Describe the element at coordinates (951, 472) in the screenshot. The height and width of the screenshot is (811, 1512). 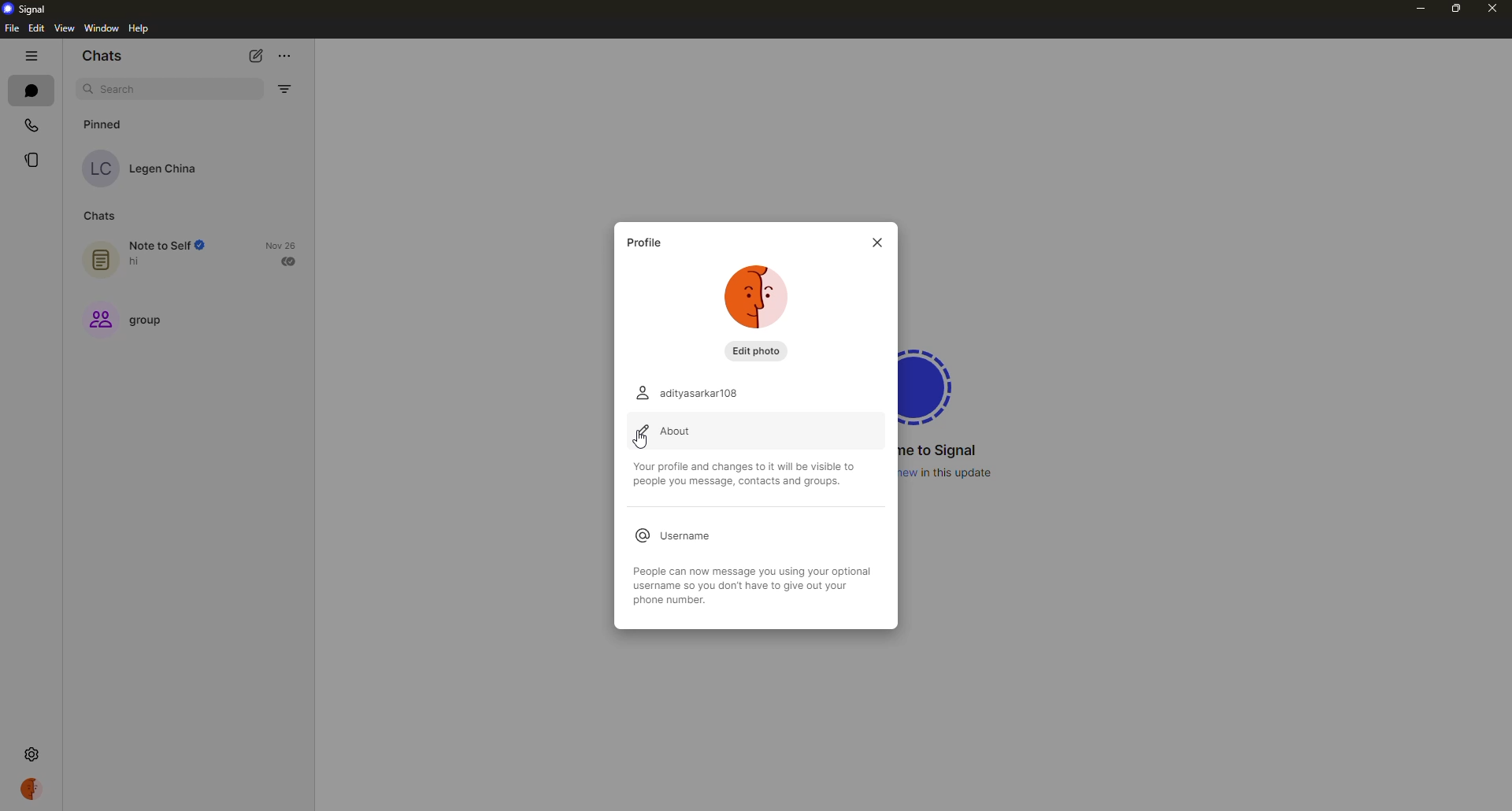
I see `what's new` at that location.